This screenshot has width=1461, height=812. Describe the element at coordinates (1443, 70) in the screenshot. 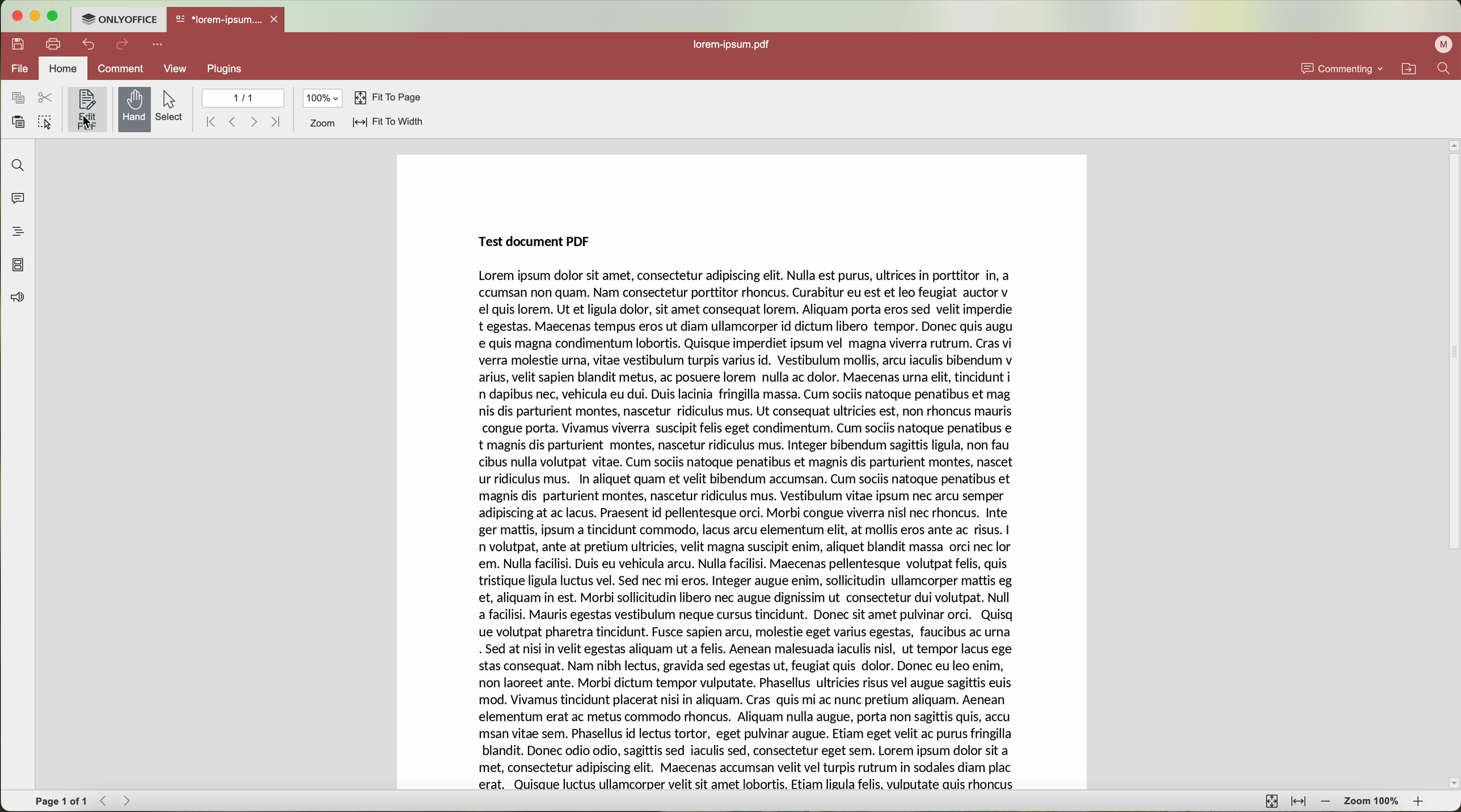

I see `find` at that location.